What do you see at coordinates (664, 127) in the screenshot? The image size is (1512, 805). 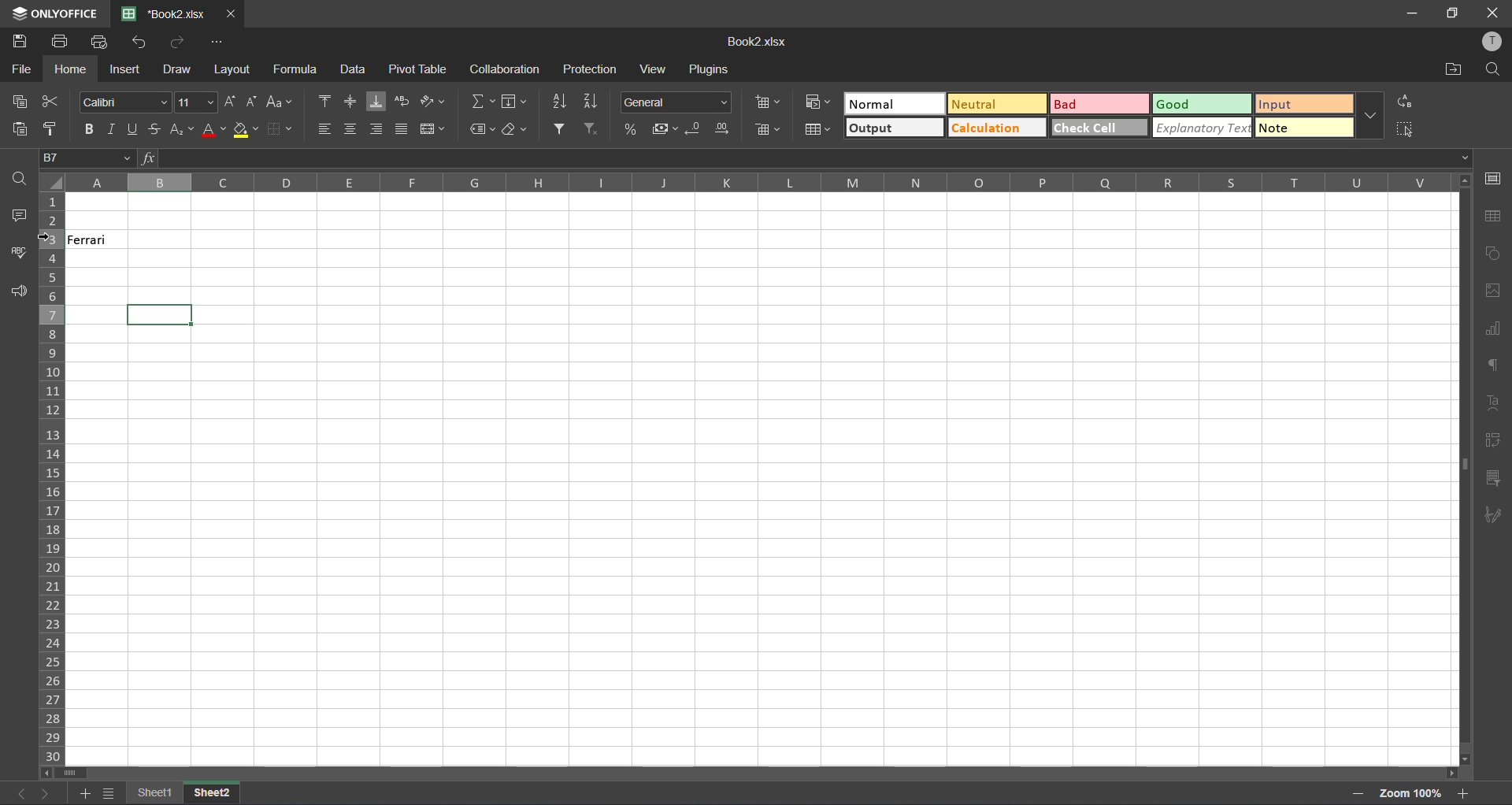 I see `accounting` at bounding box center [664, 127].